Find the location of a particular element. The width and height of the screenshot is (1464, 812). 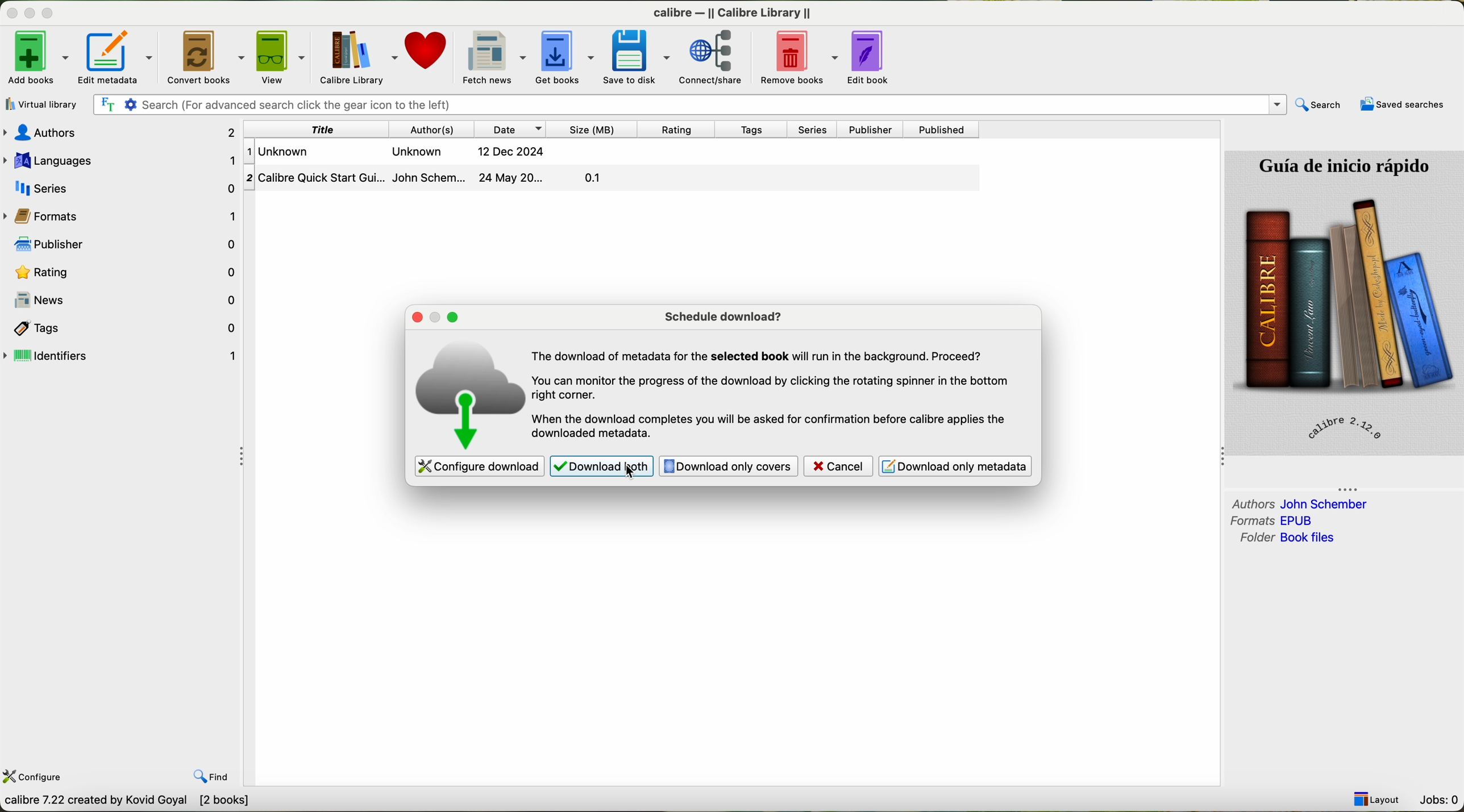

download icon is located at coordinates (465, 395).